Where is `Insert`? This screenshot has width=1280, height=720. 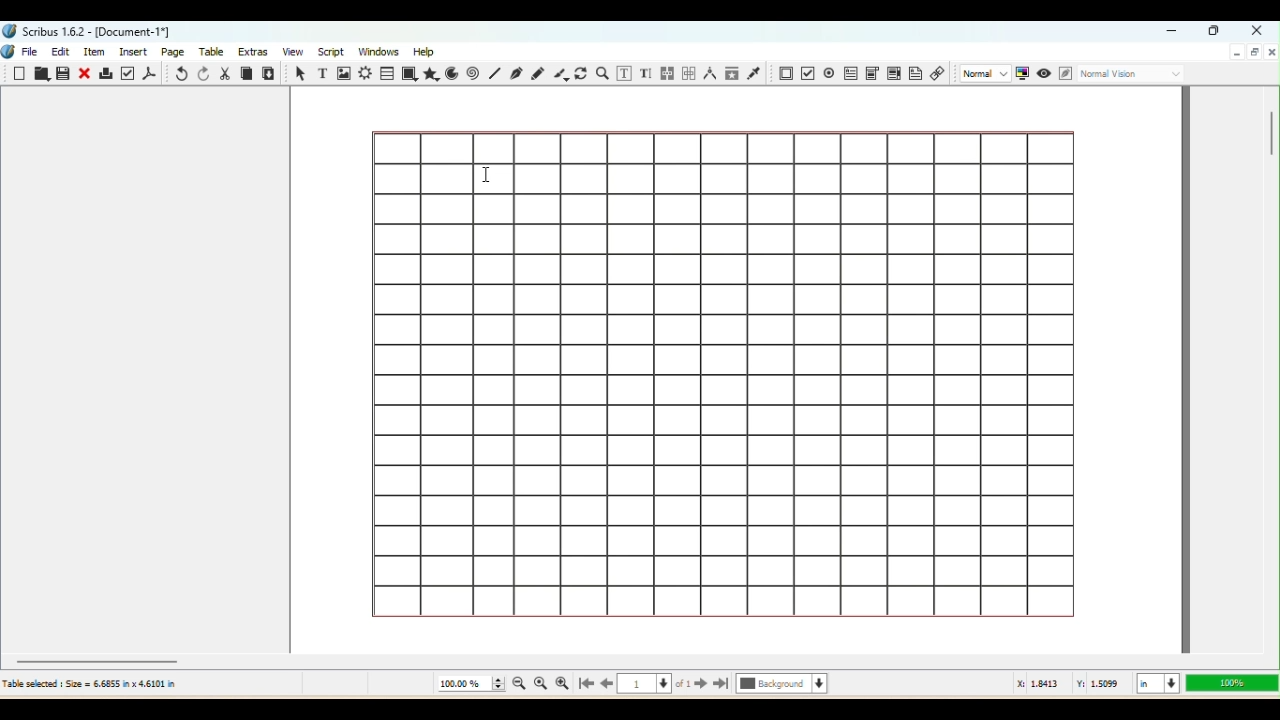
Insert is located at coordinates (136, 51).